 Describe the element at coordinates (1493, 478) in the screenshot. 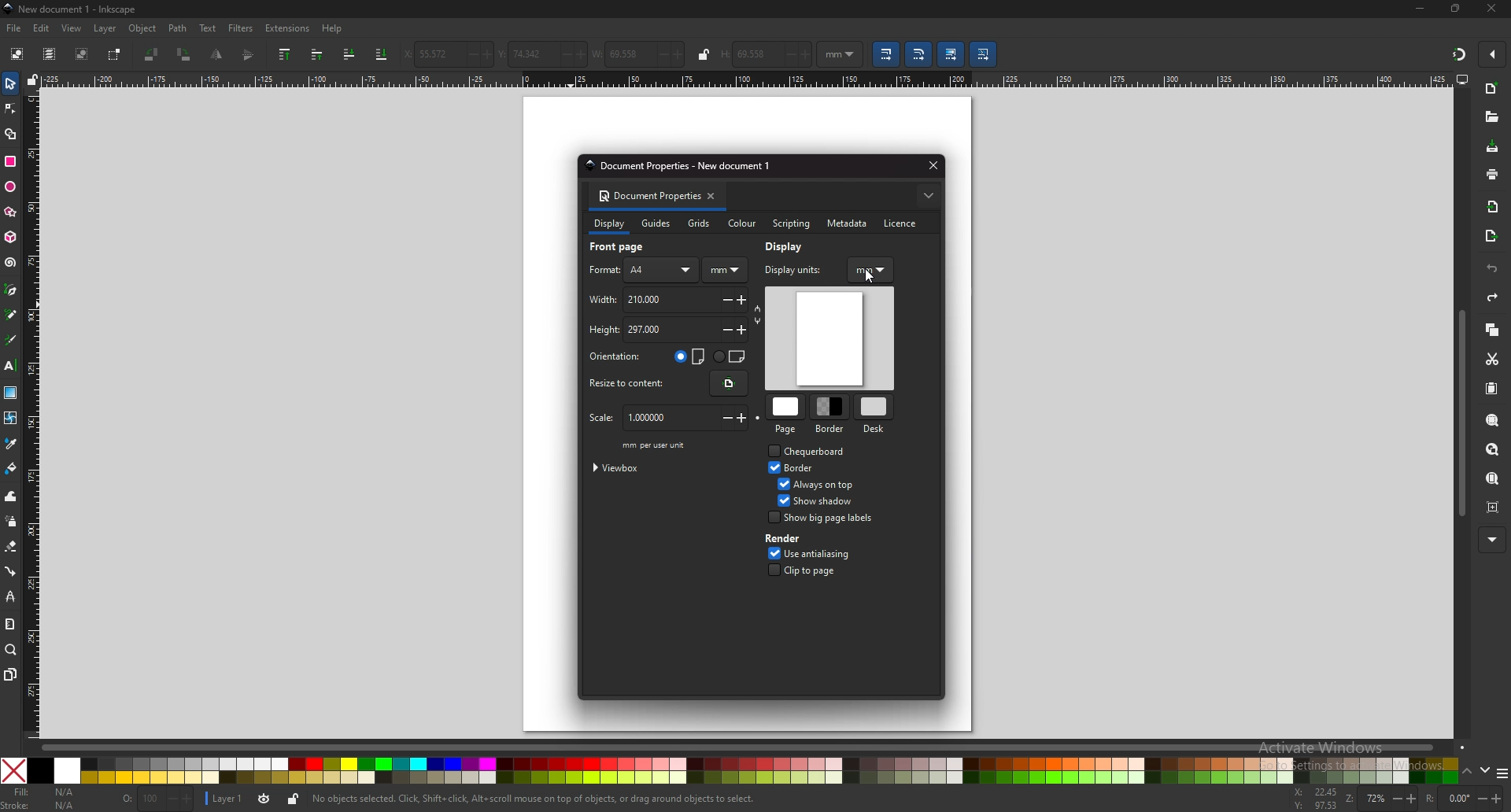

I see `zoom page` at that location.